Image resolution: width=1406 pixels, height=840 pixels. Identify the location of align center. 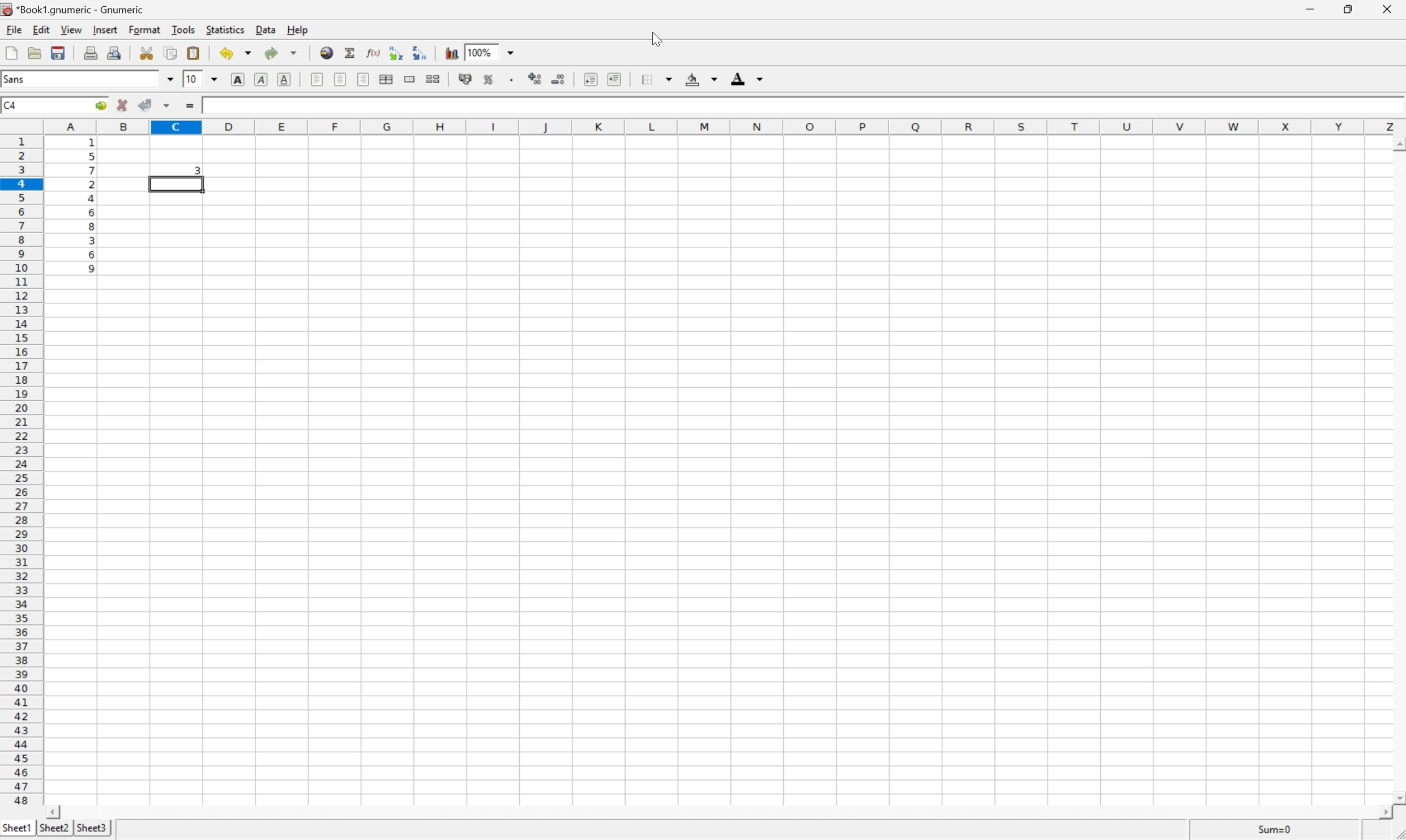
(342, 79).